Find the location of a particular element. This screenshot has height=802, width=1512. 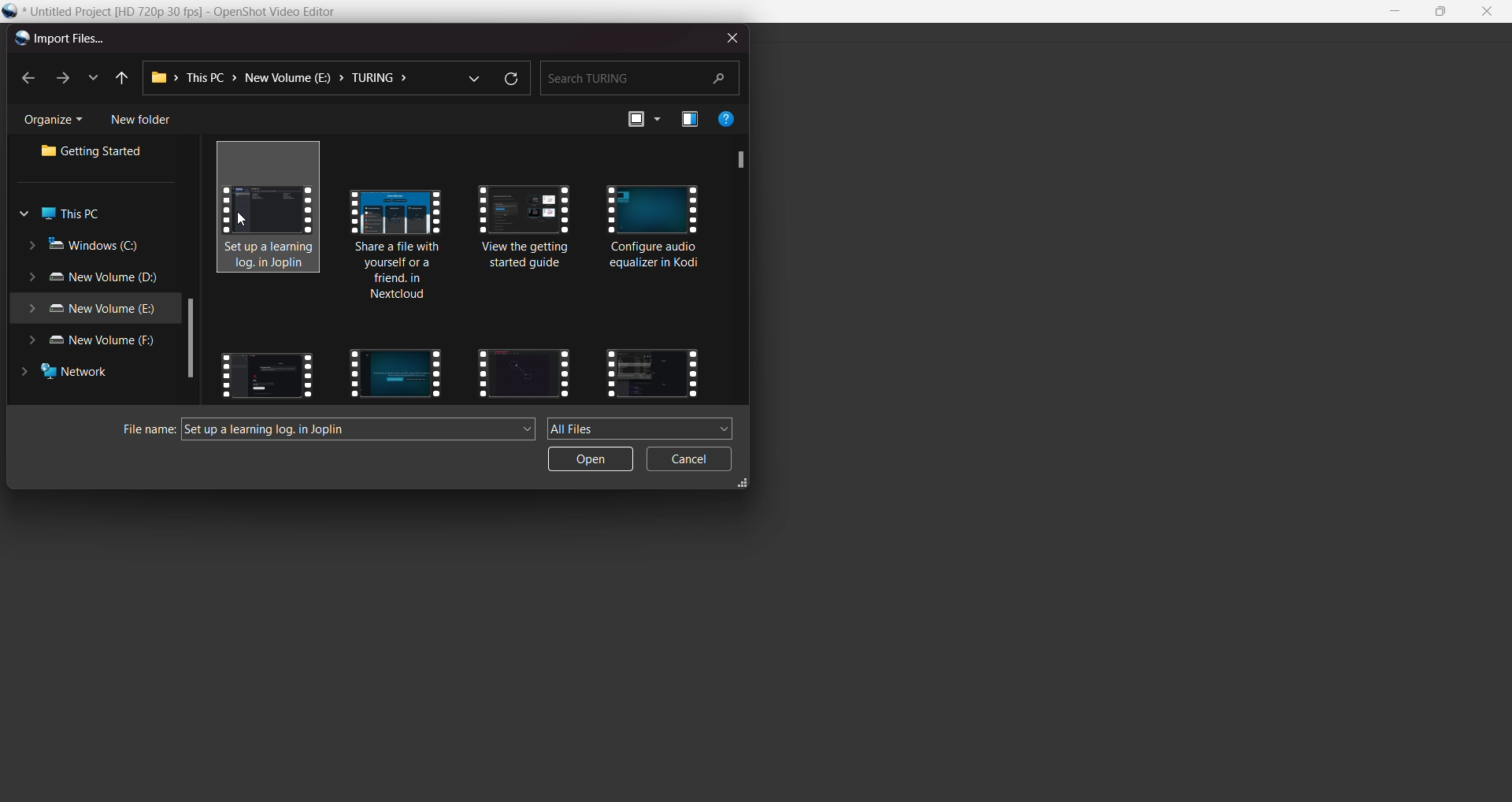

windows c is located at coordinates (87, 246).